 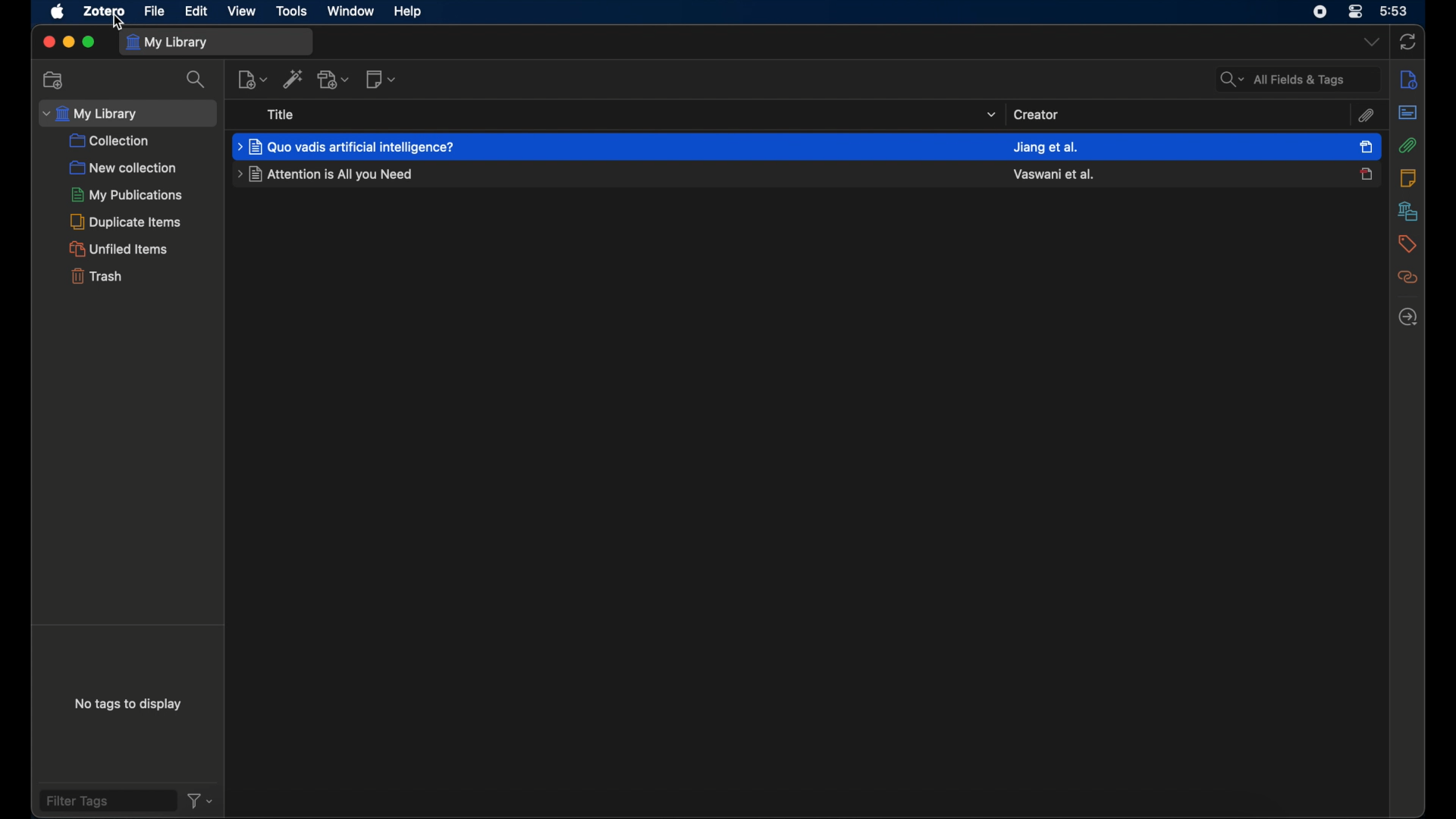 I want to click on no tags to display, so click(x=127, y=704).